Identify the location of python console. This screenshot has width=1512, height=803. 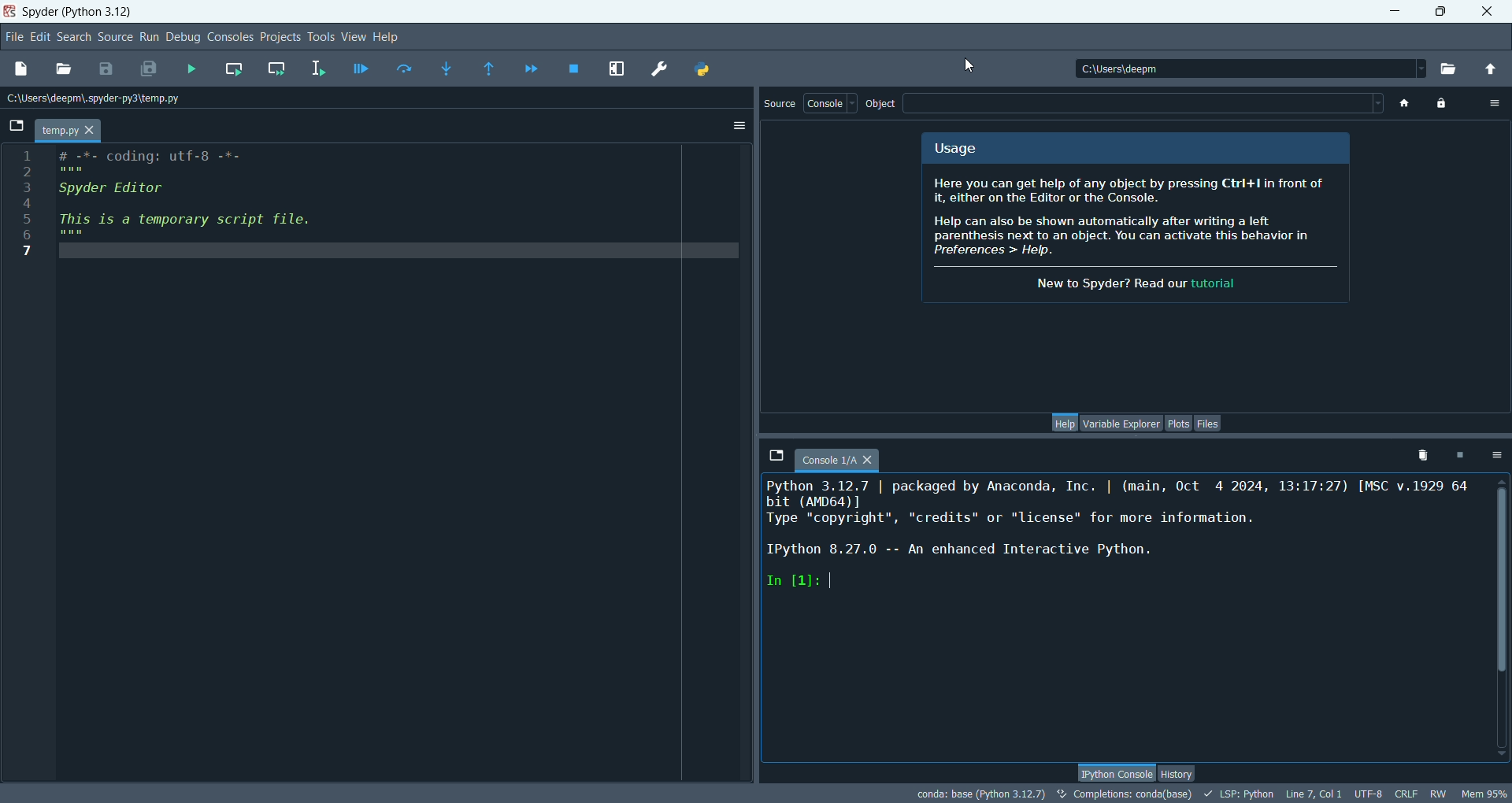
(1114, 771).